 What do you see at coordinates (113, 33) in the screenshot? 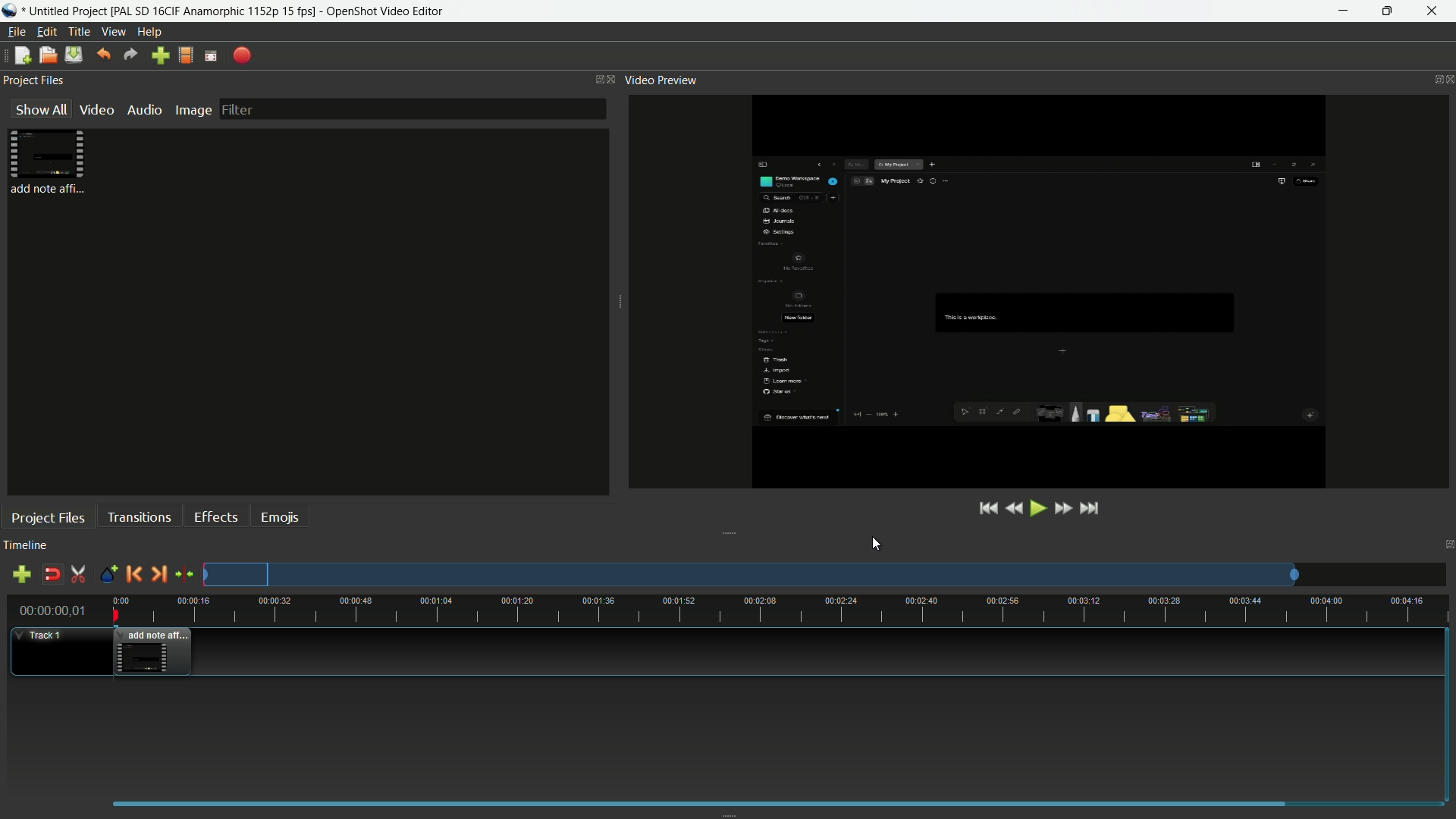
I see `view menu` at bounding box center [113, 33].